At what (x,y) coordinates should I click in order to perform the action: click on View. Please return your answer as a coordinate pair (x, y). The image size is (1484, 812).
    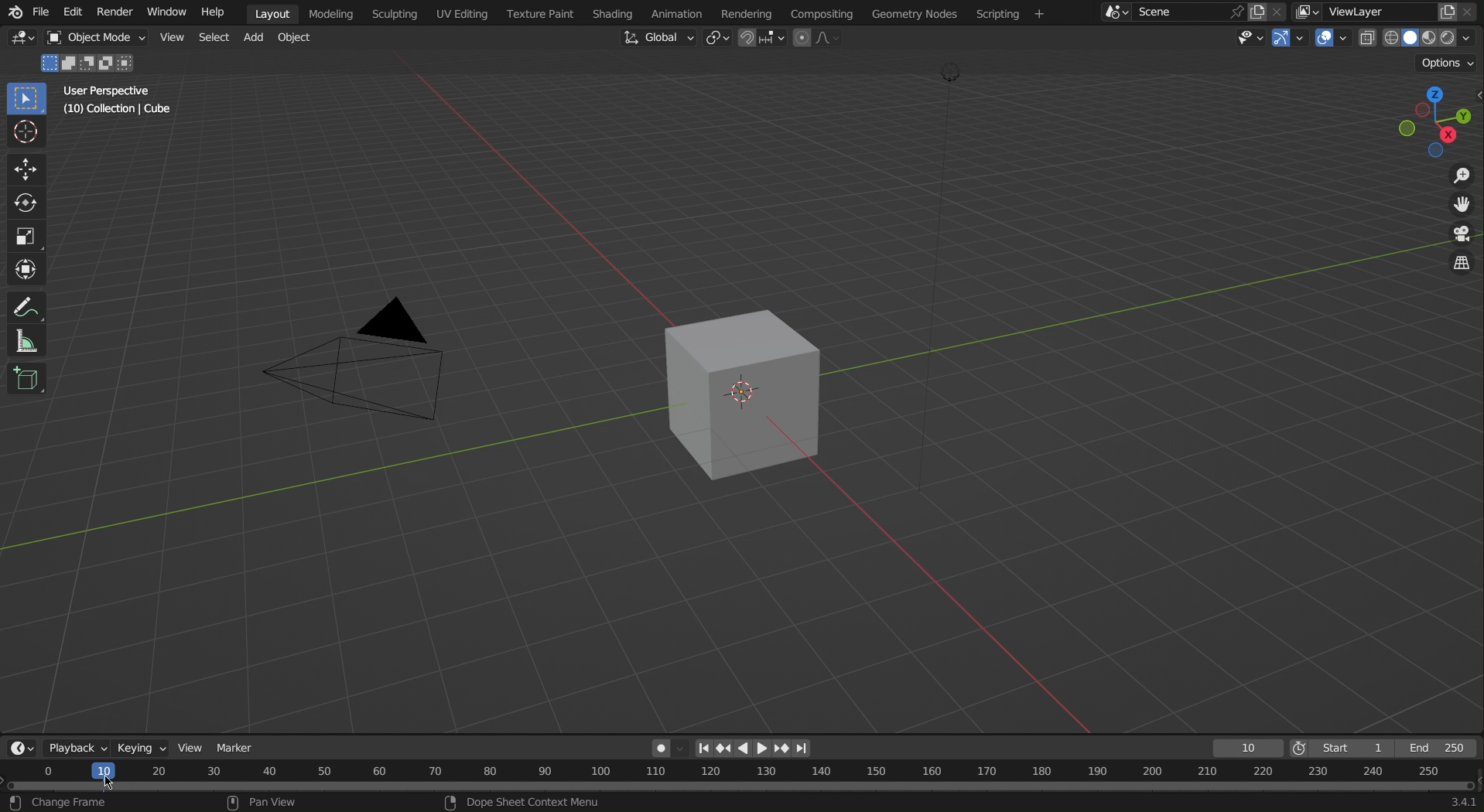
    Looking at the image, I should click on (195, 745).